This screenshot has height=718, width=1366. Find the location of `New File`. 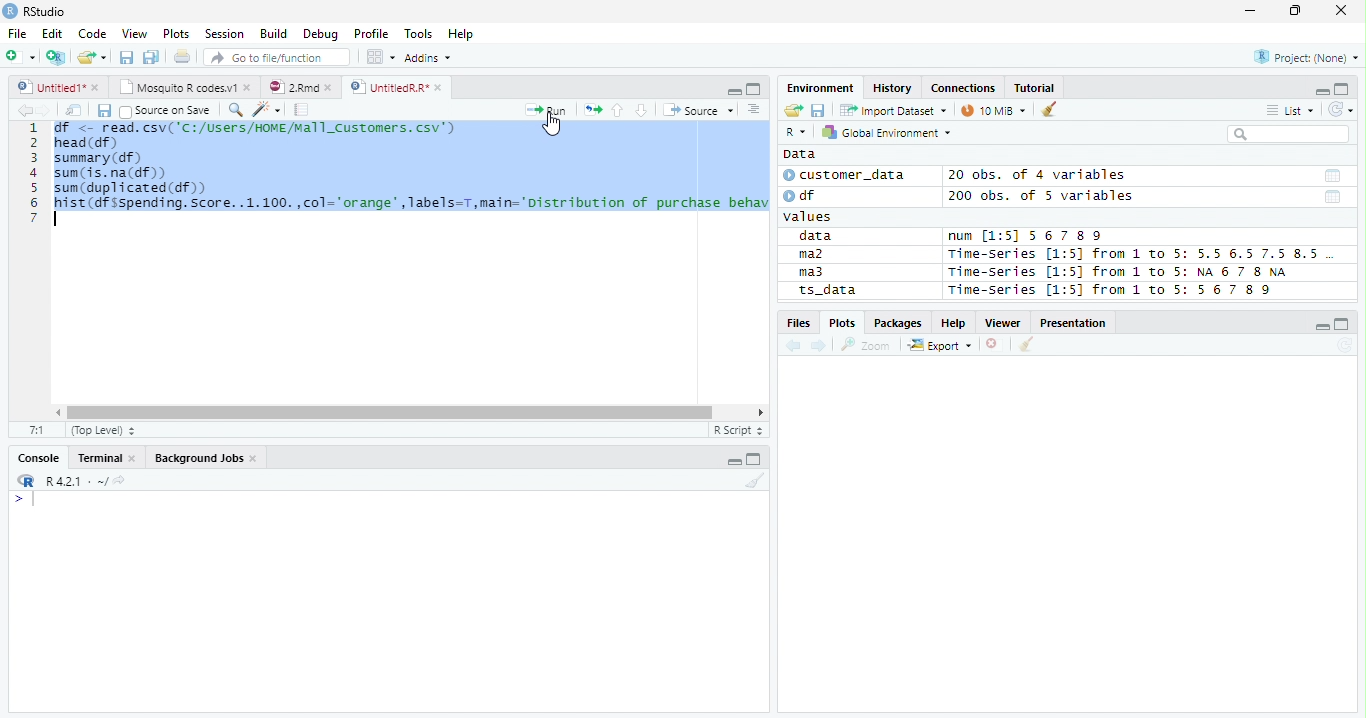

New File is located at coordinates (21, 56).